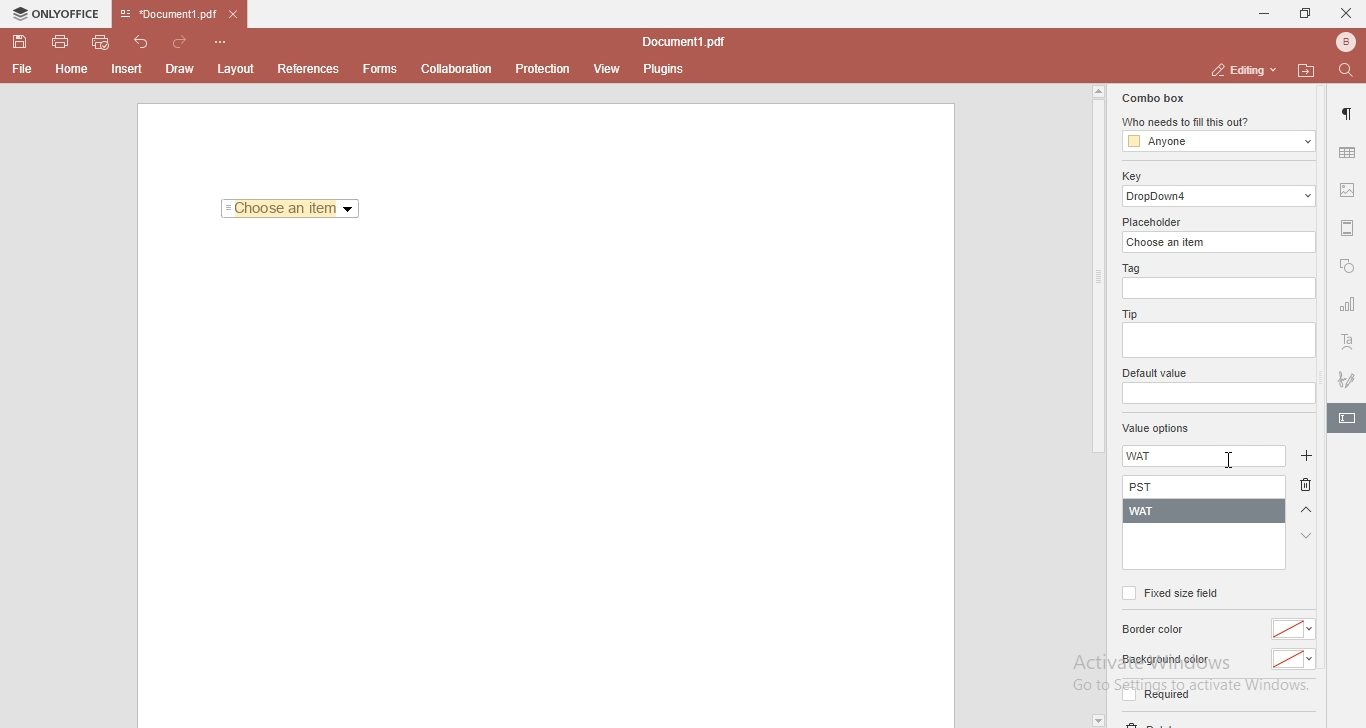 The height and width of the screenshot is (728, 1366). I want to click on tip, so click(1127, 313).